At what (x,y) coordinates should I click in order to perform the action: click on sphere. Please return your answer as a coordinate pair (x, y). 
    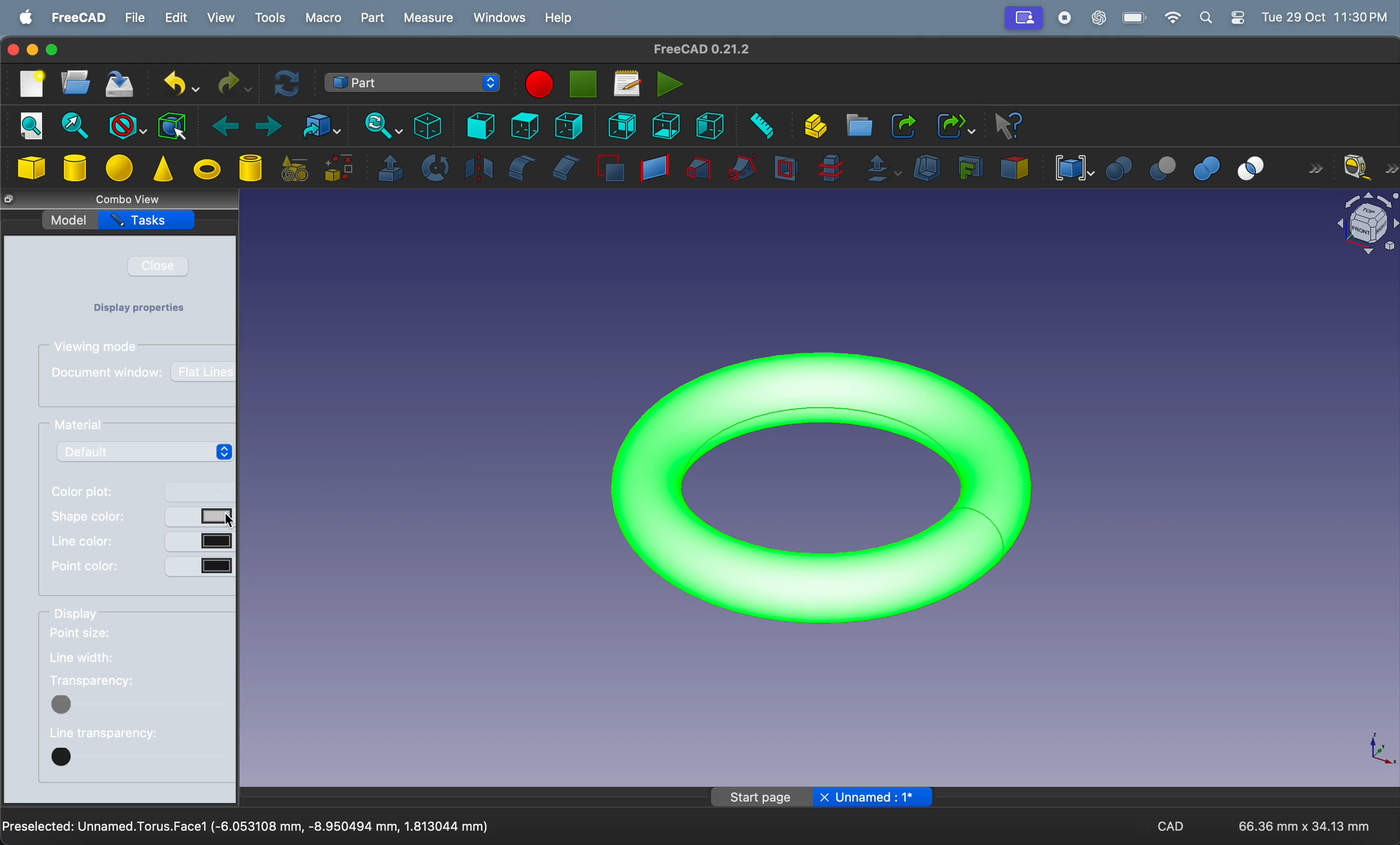
    Looking at the image, I should click on (119, 169).